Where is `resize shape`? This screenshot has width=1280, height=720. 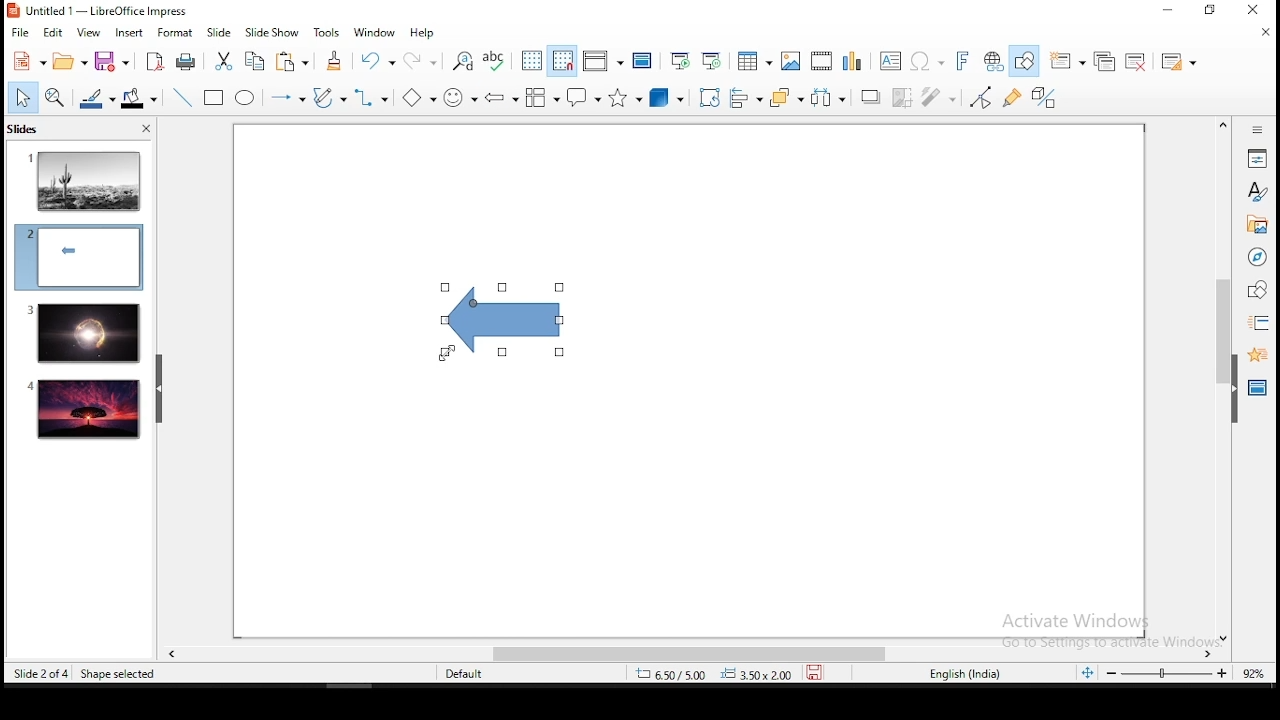 resize shape is located at coordinates (114, 673).